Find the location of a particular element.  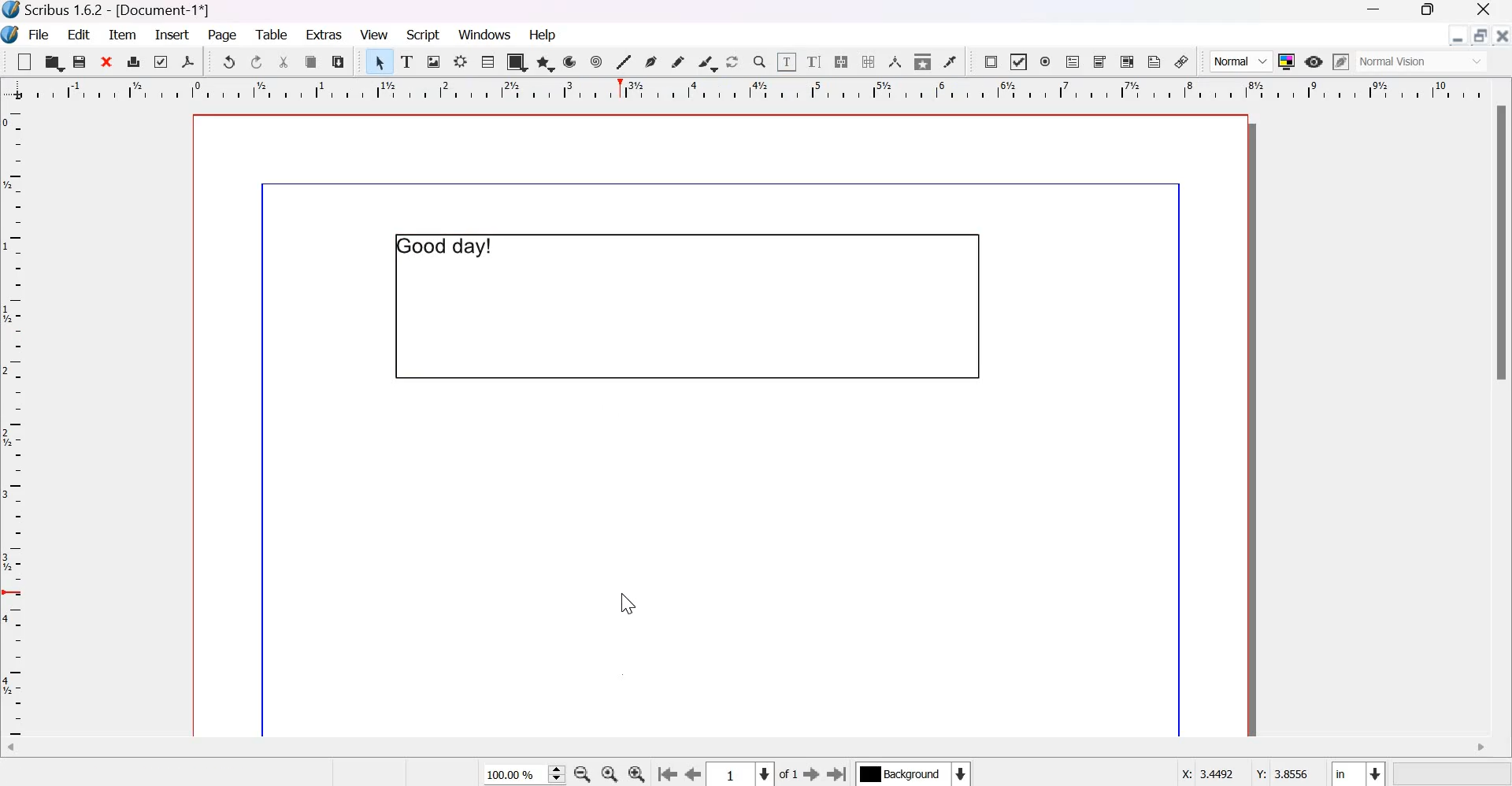

maximize is located at coordinates (1480, 35).